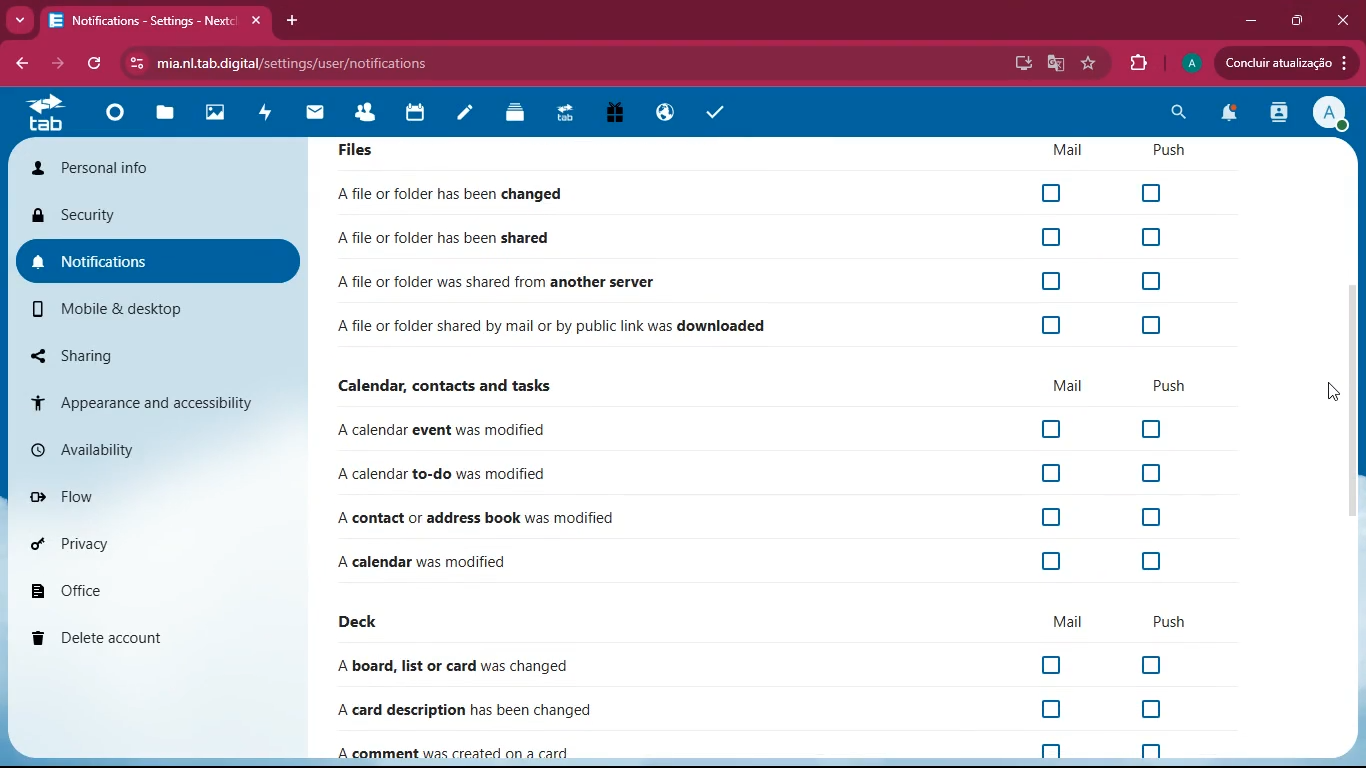 This screenshot has height=768, width=1366. What do you see at coordinates (1166, 622) in the screenshot?
I see `push` at bounding box center [1166, 622].